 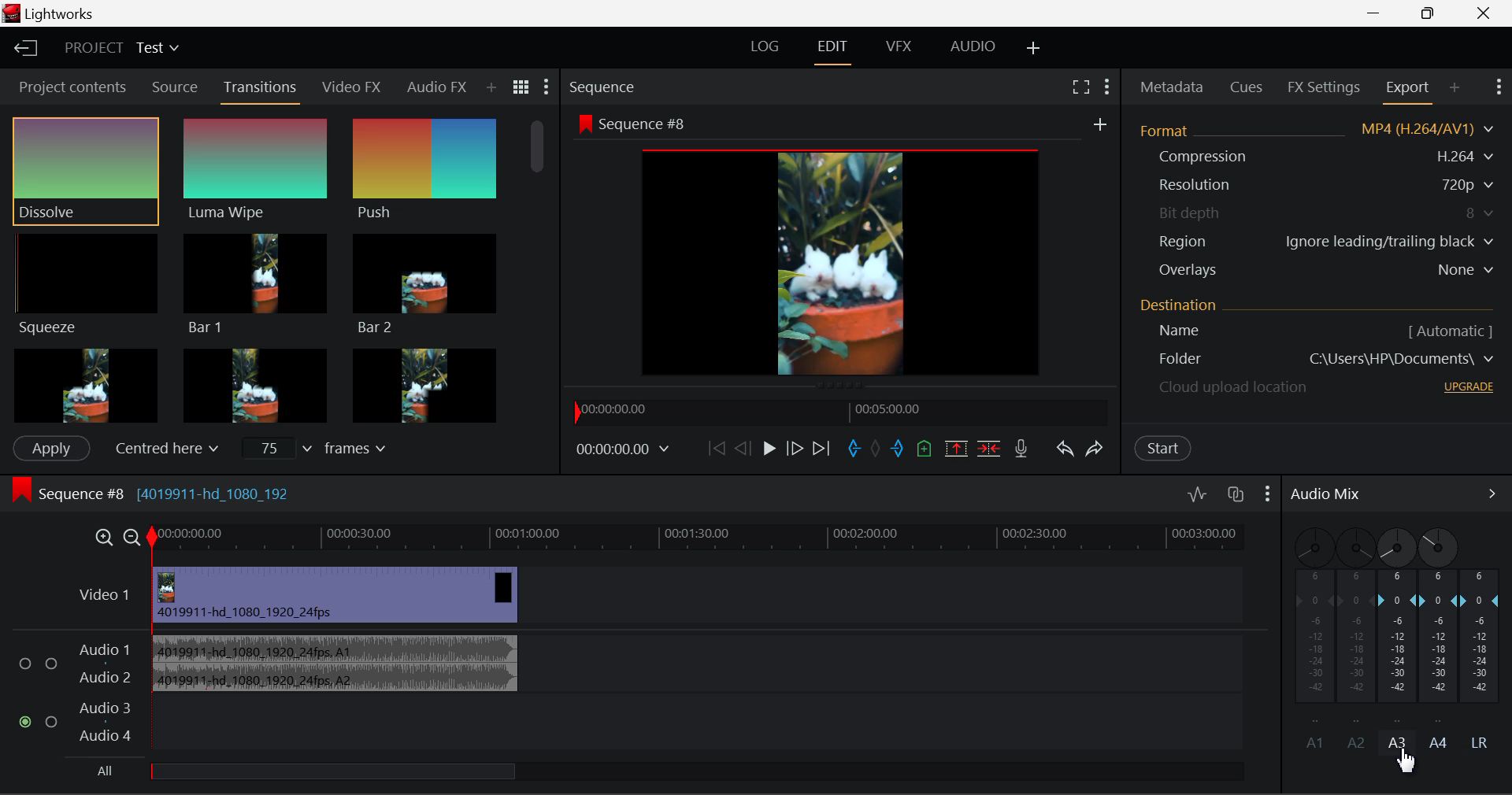 I want to click on Toggle audio levels editing, so click(x=1195, y=498).